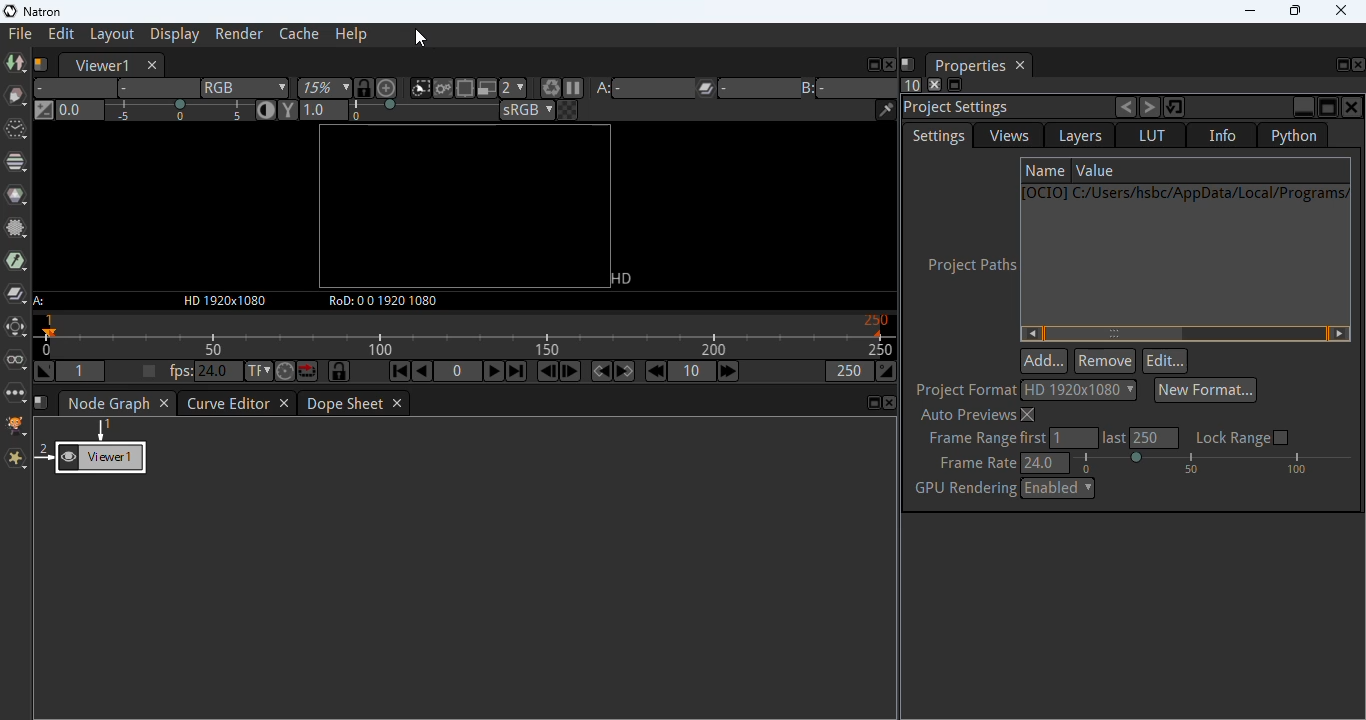  I want to click on frame increment, so click(692, 370).